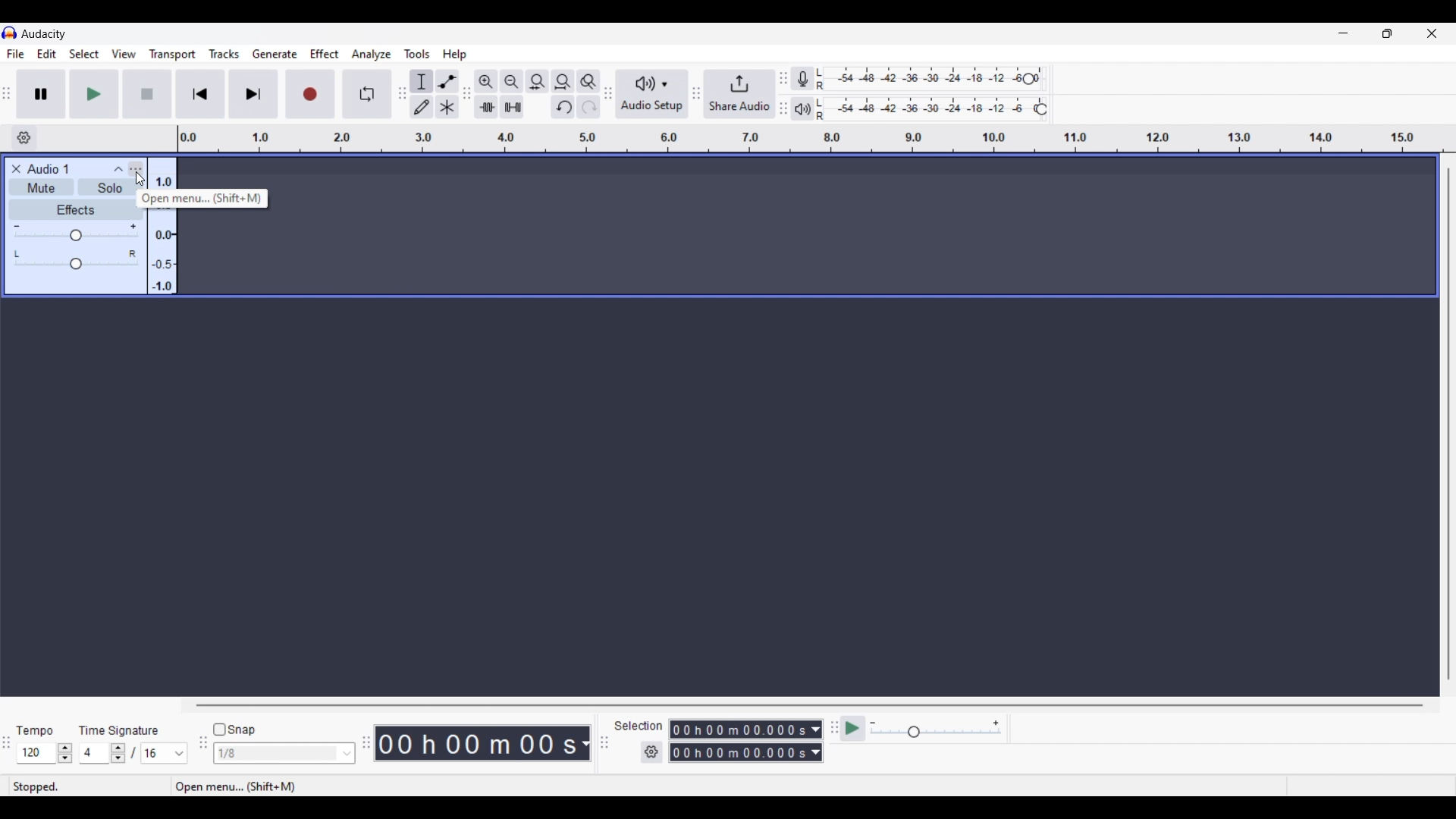 The image size is (1456, 819). I want to click on Edit menu, so click(47, 55).